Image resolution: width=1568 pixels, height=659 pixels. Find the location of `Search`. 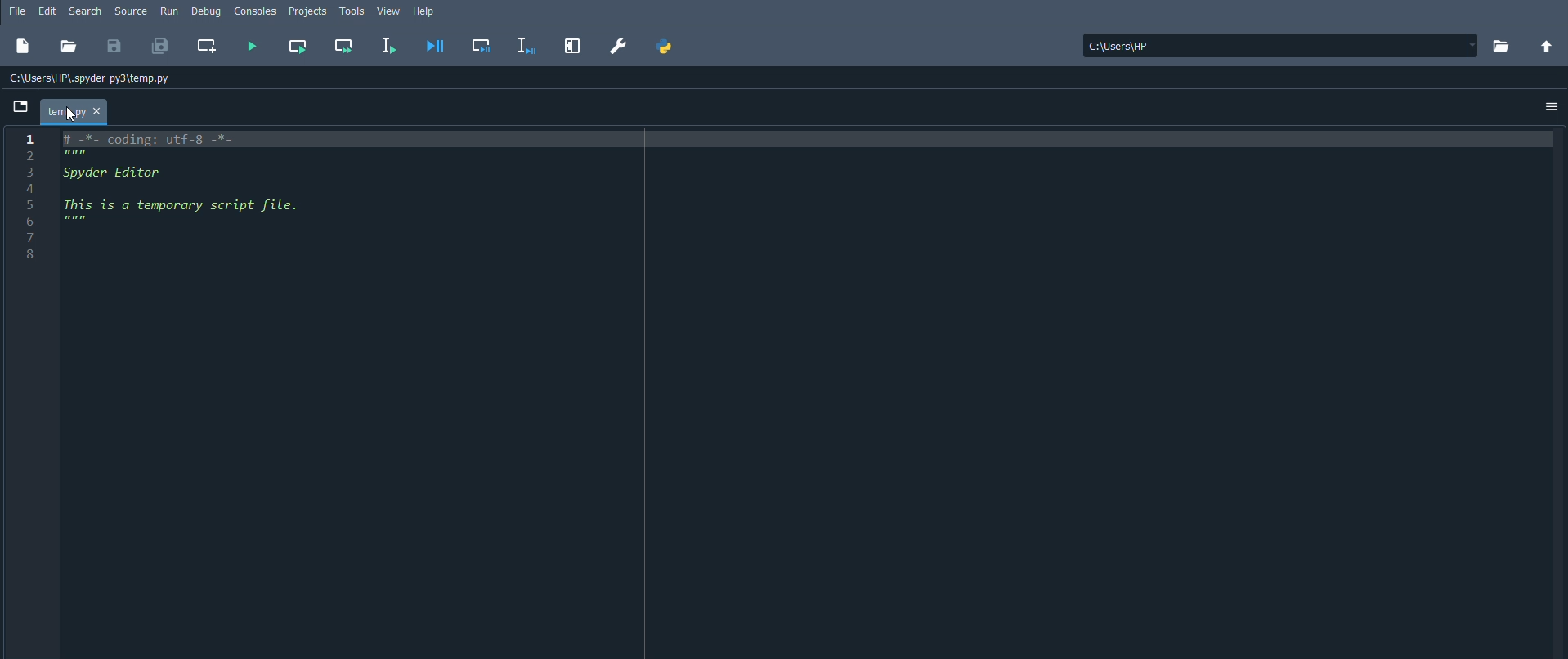

Search is located at coordinates (85, 11).